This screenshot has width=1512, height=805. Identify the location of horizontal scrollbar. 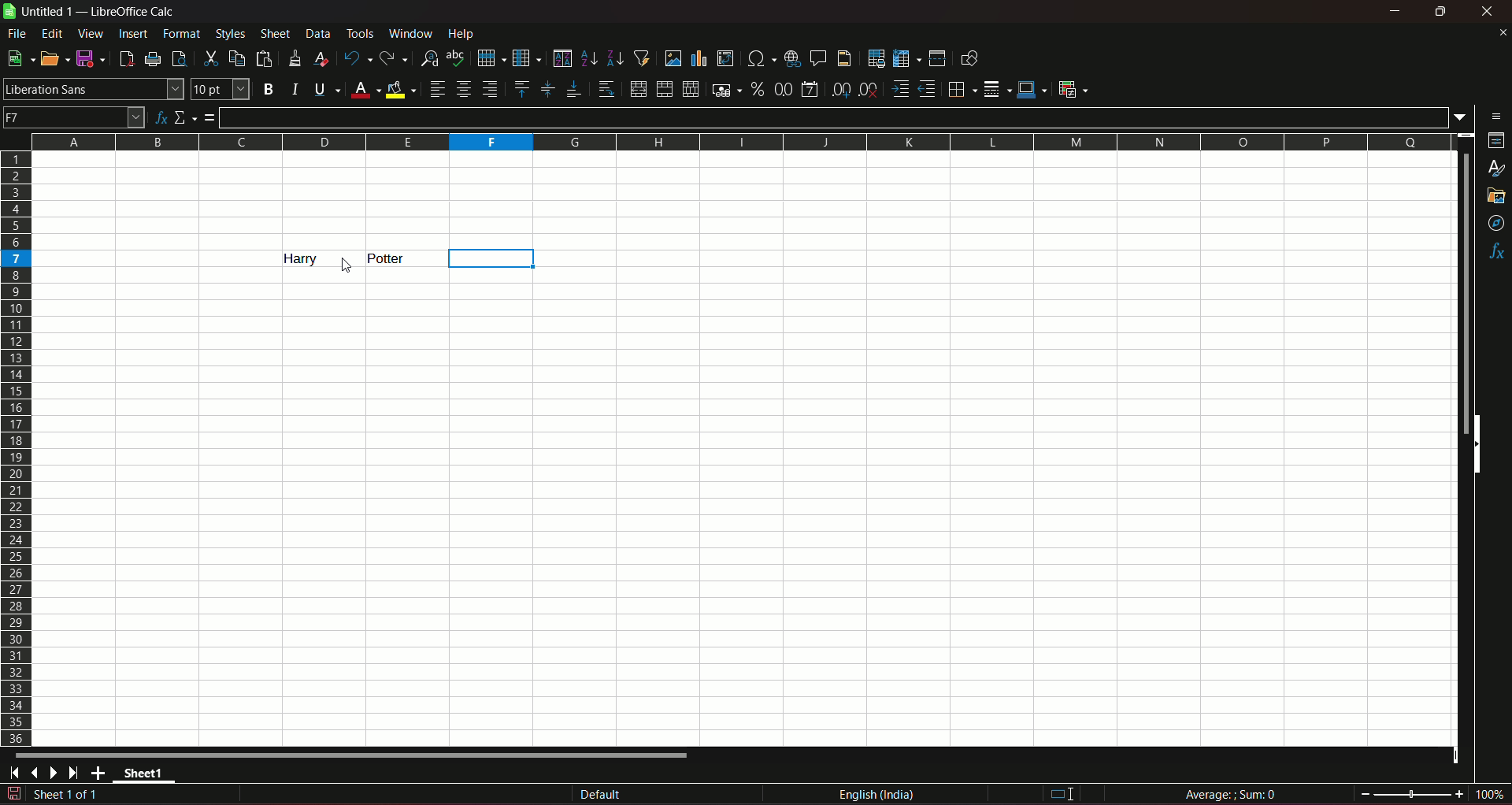
(353, 755).